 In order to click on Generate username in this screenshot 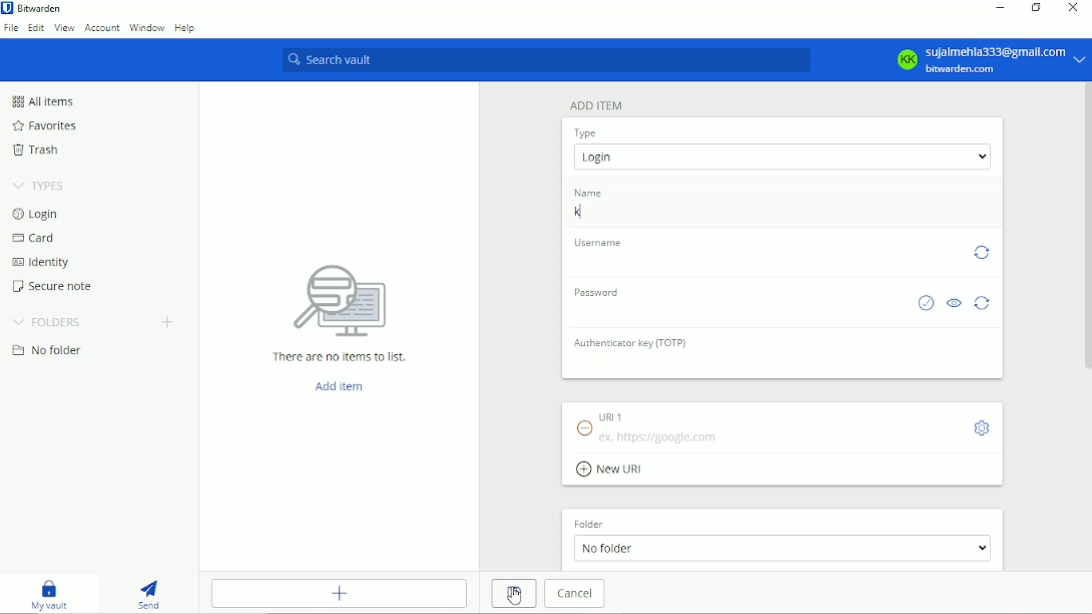, I will do `click(981, 253)`.